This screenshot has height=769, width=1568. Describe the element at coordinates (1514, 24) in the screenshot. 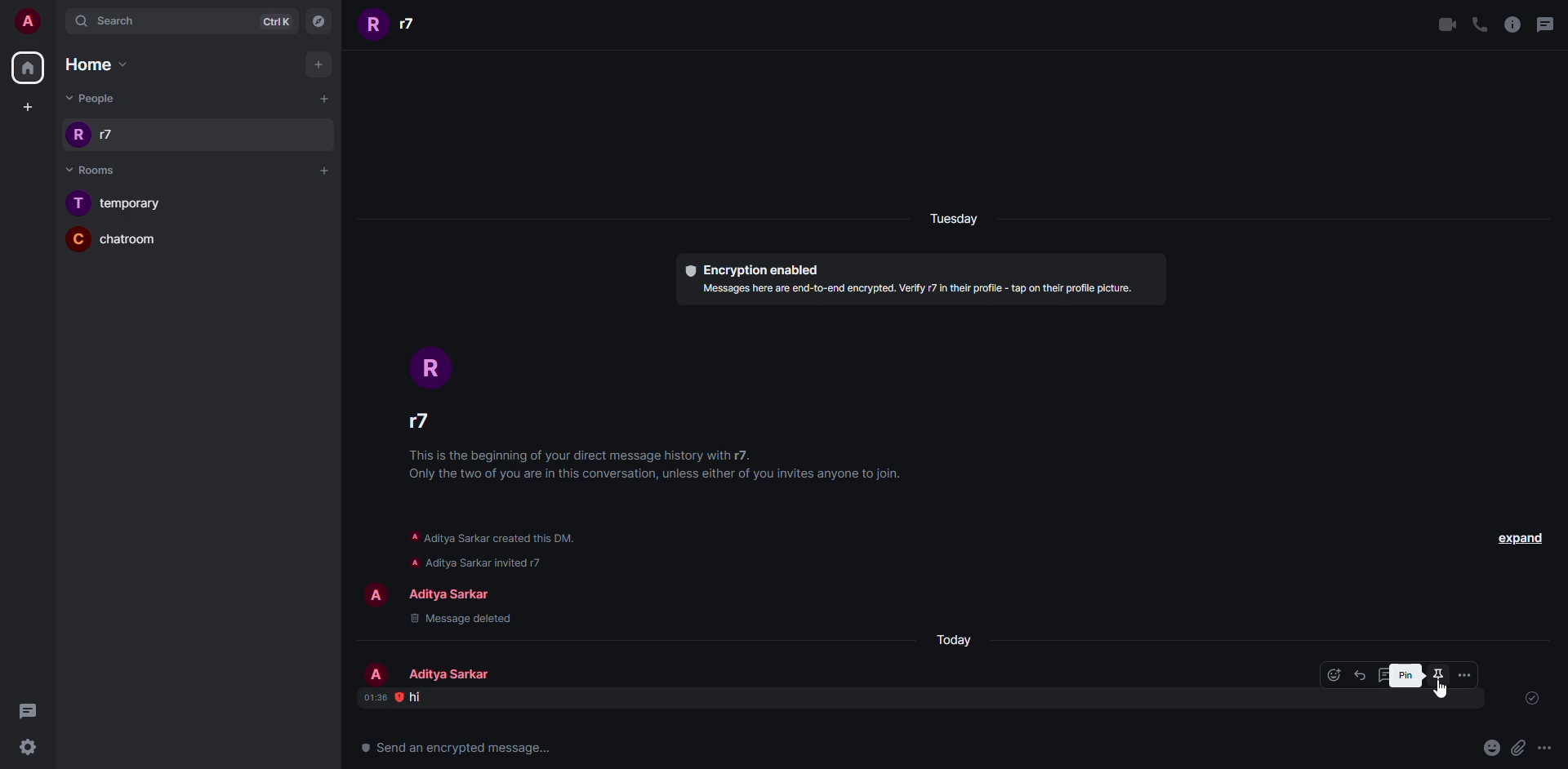

I see `info` at that location.